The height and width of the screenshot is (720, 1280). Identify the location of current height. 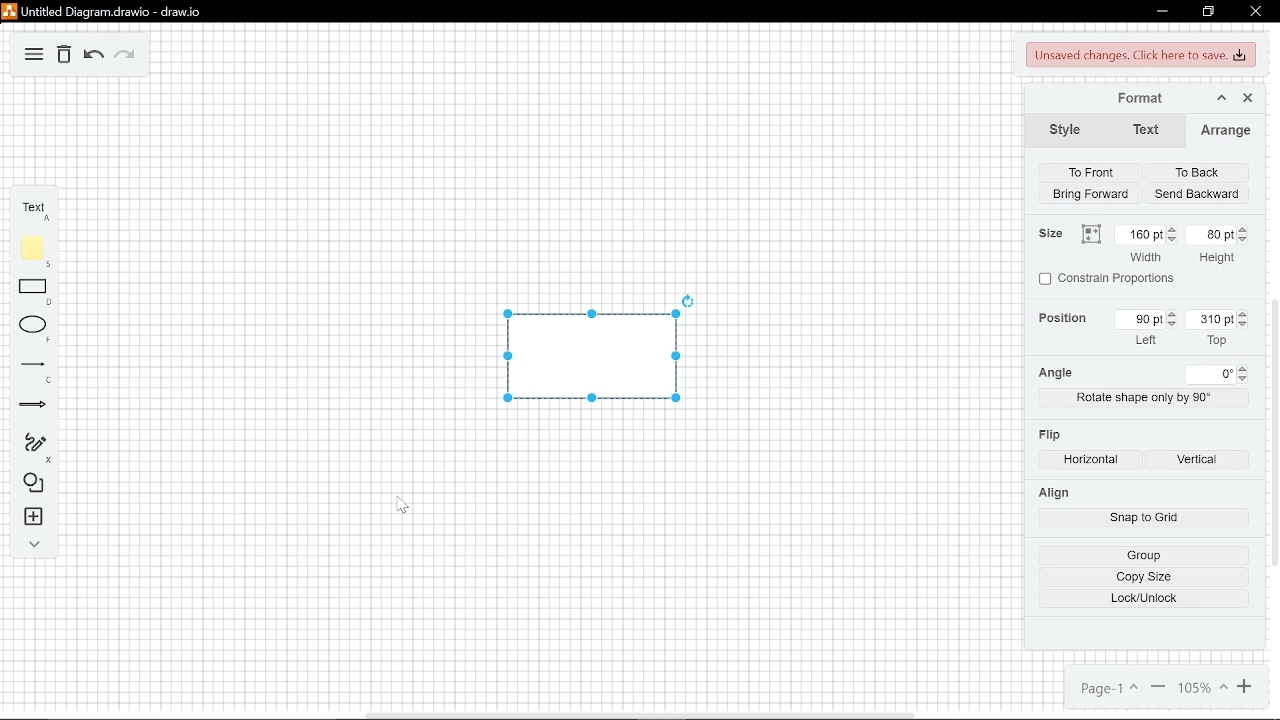
(1209, 234).